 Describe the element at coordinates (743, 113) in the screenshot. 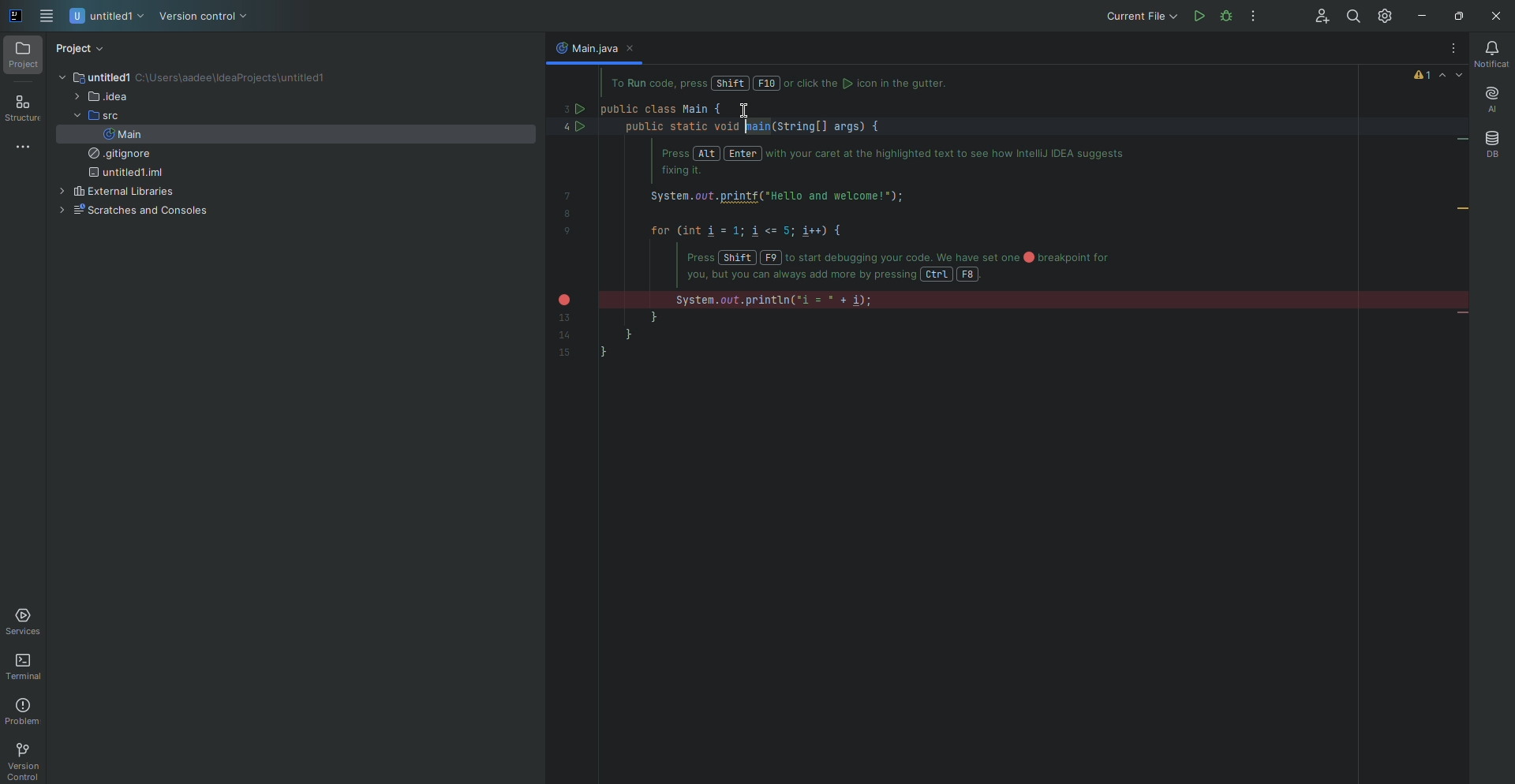

I see `cursor` at that location.